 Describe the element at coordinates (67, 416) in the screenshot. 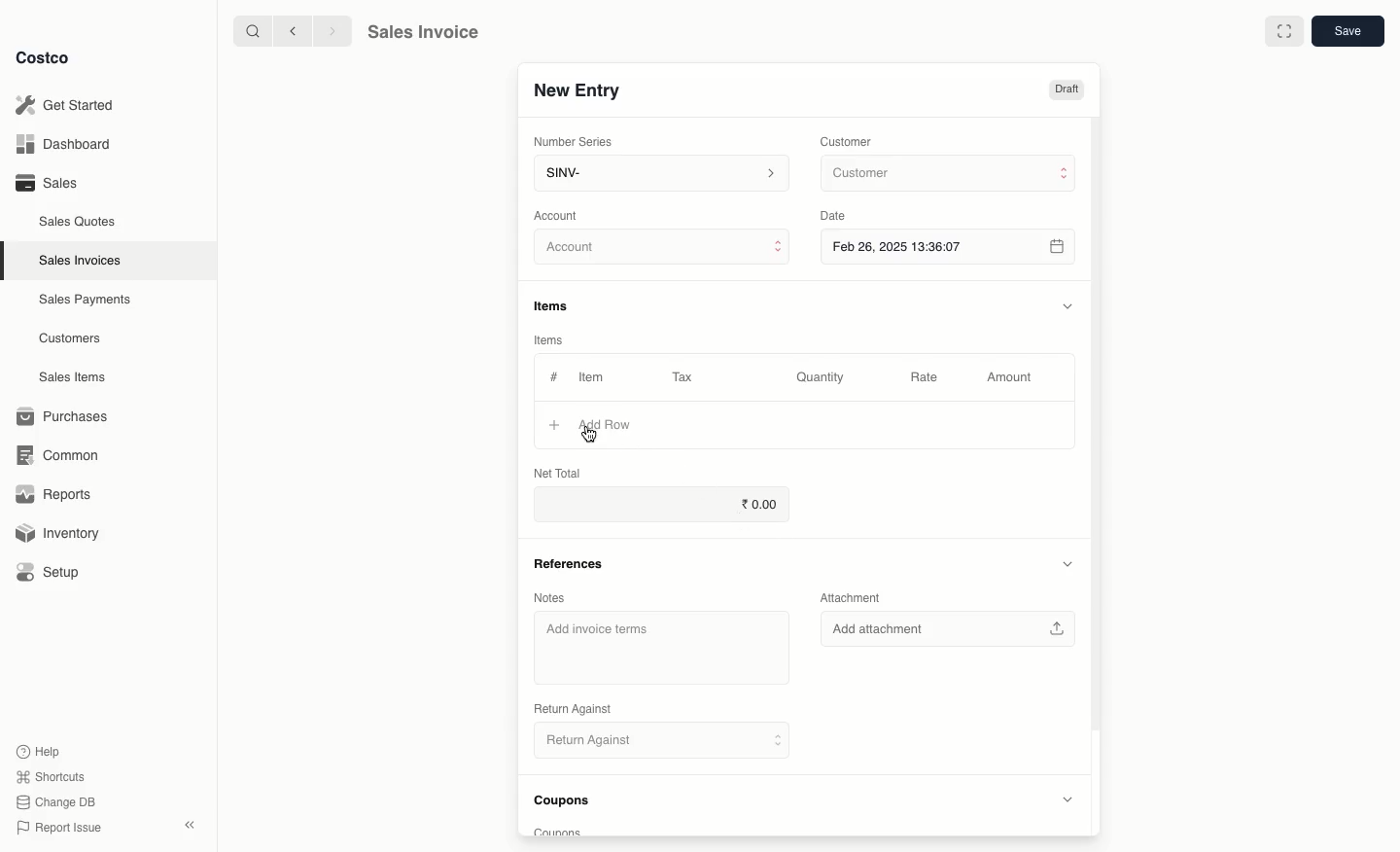

I see `Purchases` at that location.